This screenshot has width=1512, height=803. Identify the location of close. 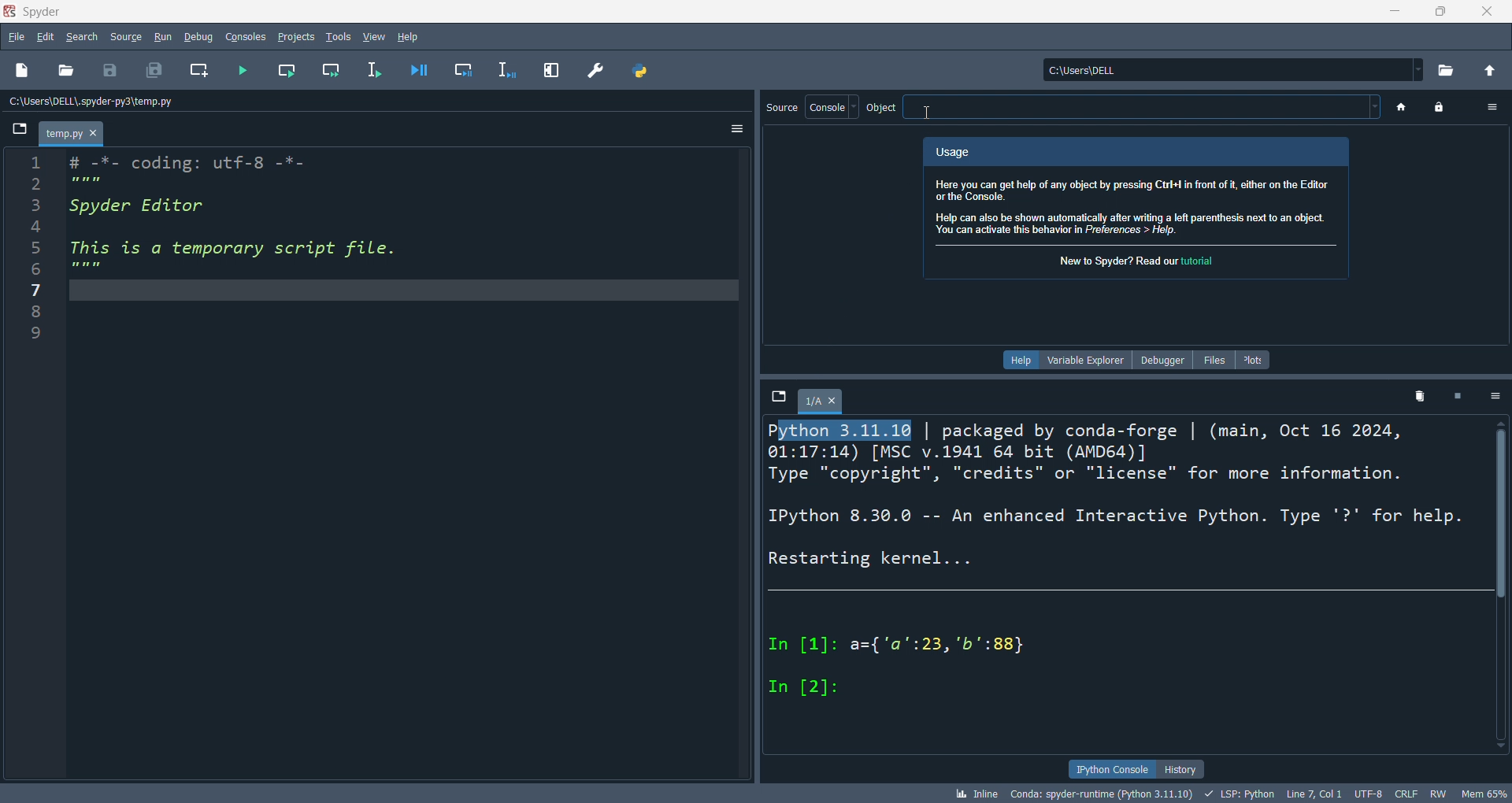
(1488, 11).